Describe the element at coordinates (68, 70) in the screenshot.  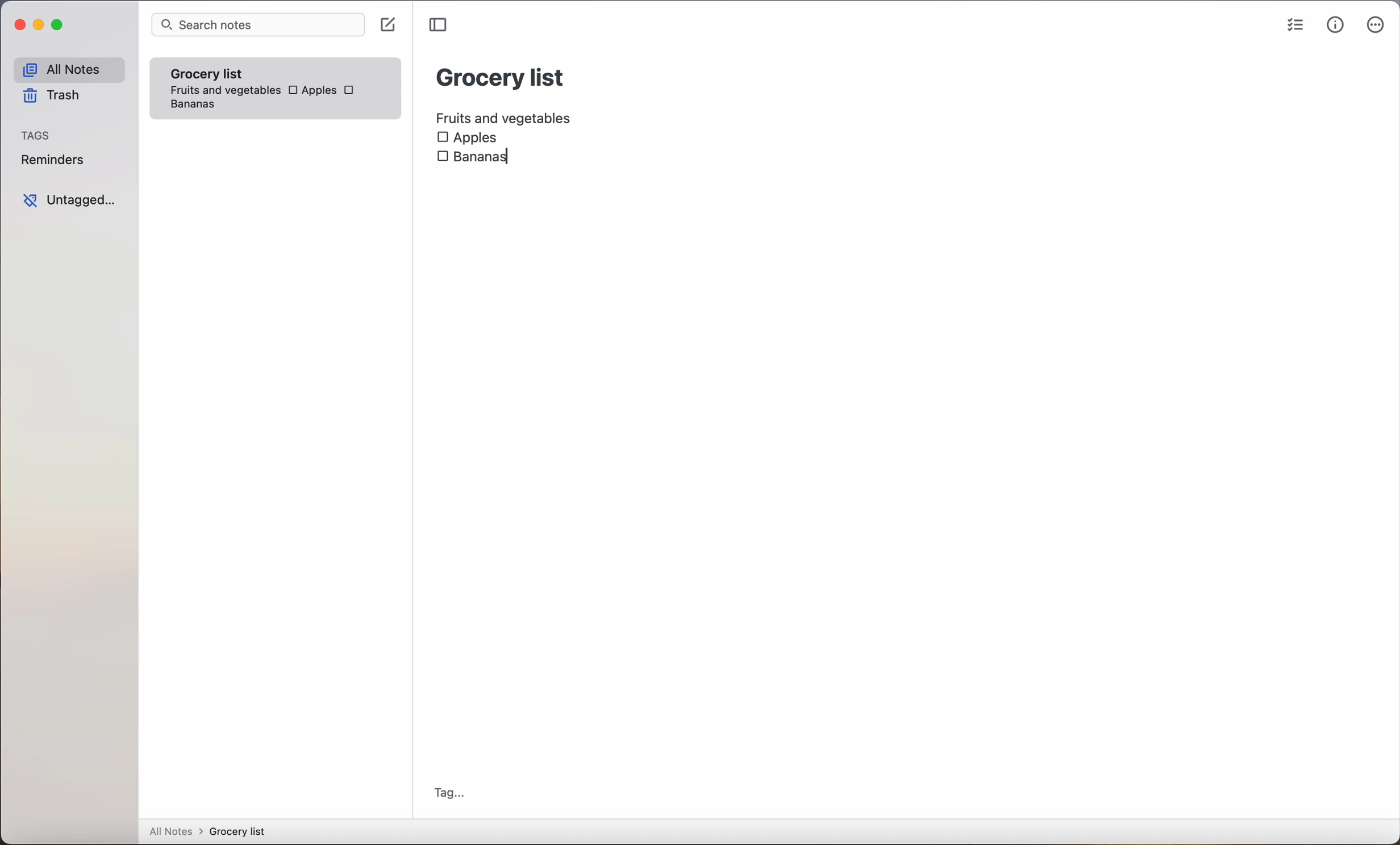
I see `all notes` at that location.